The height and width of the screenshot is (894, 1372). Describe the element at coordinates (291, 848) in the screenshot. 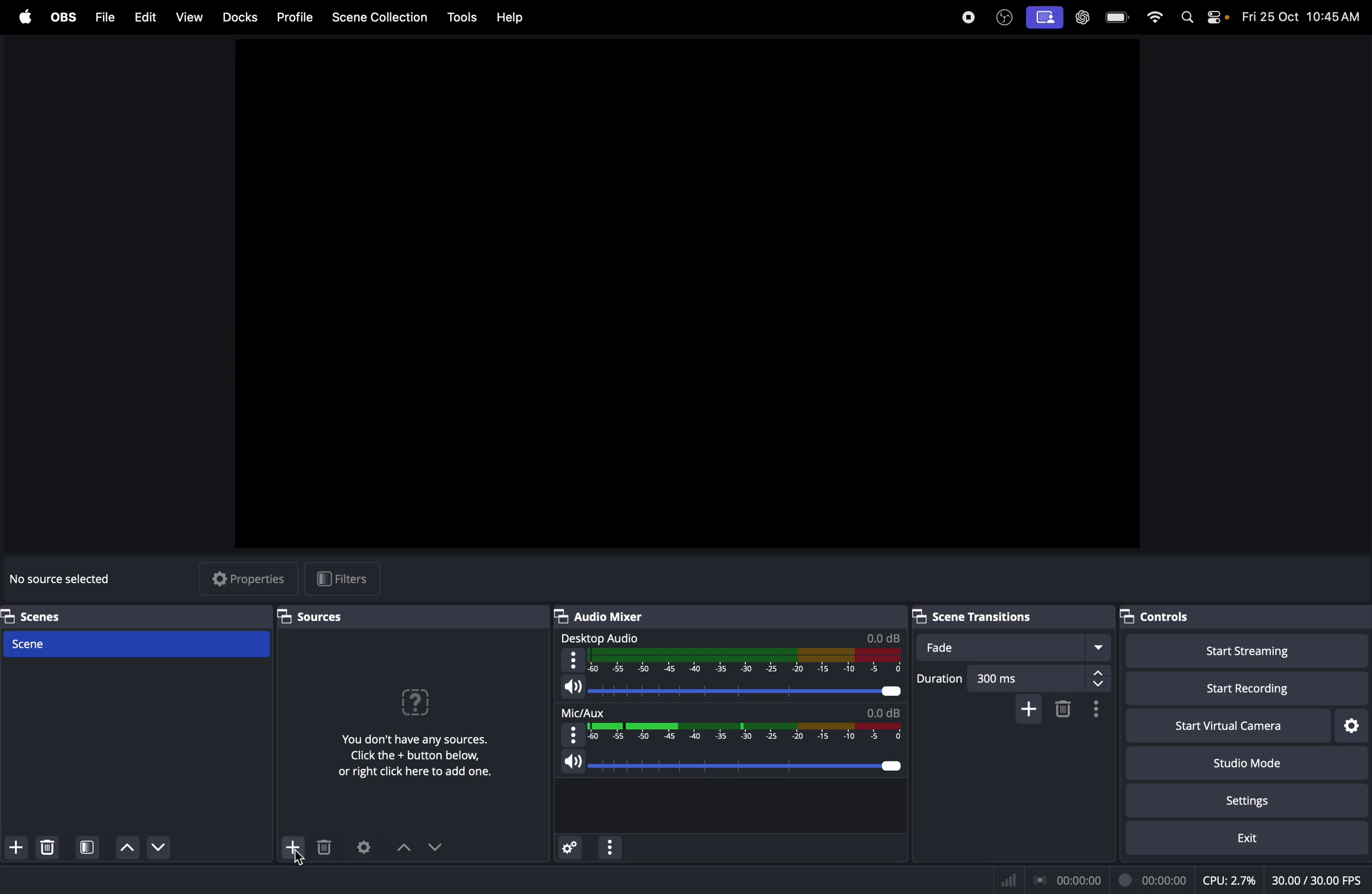

I see `add source` at that location.